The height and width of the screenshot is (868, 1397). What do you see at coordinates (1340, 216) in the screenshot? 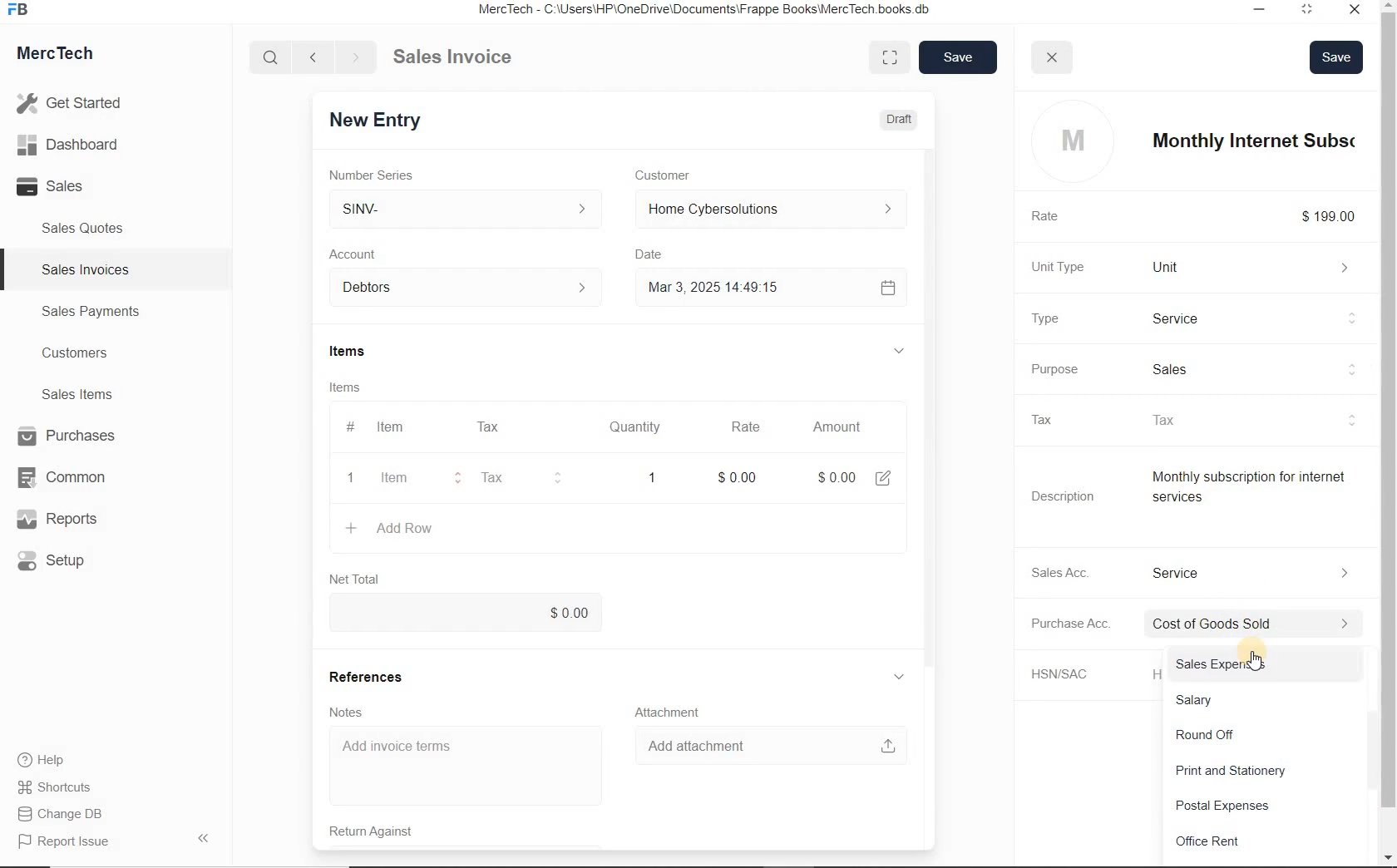
I see `$199` at bounding box center [1340, 216].